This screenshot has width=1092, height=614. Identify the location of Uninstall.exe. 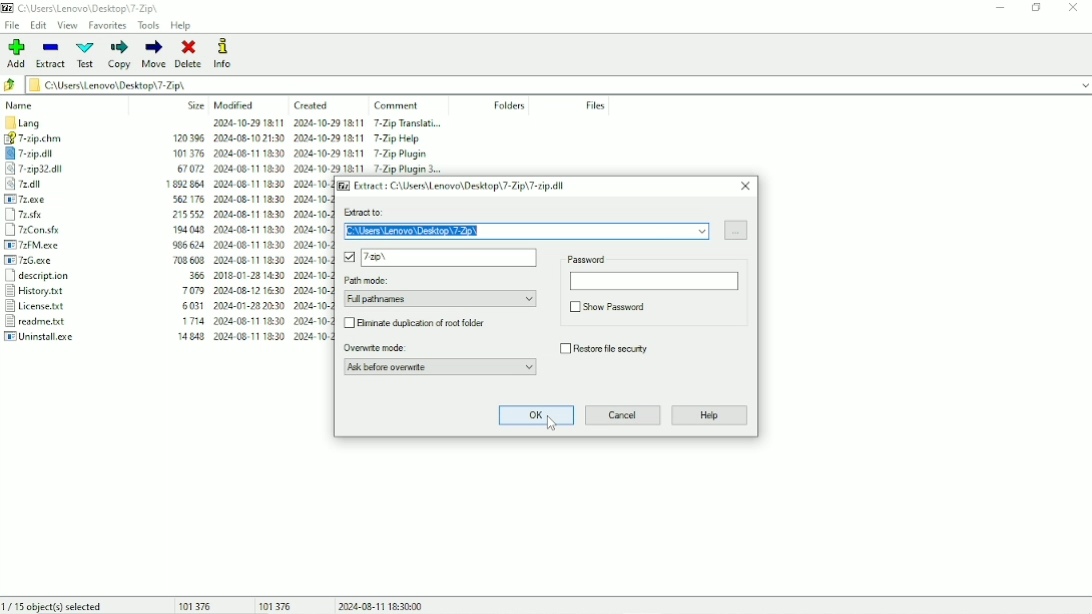
(49, 337).